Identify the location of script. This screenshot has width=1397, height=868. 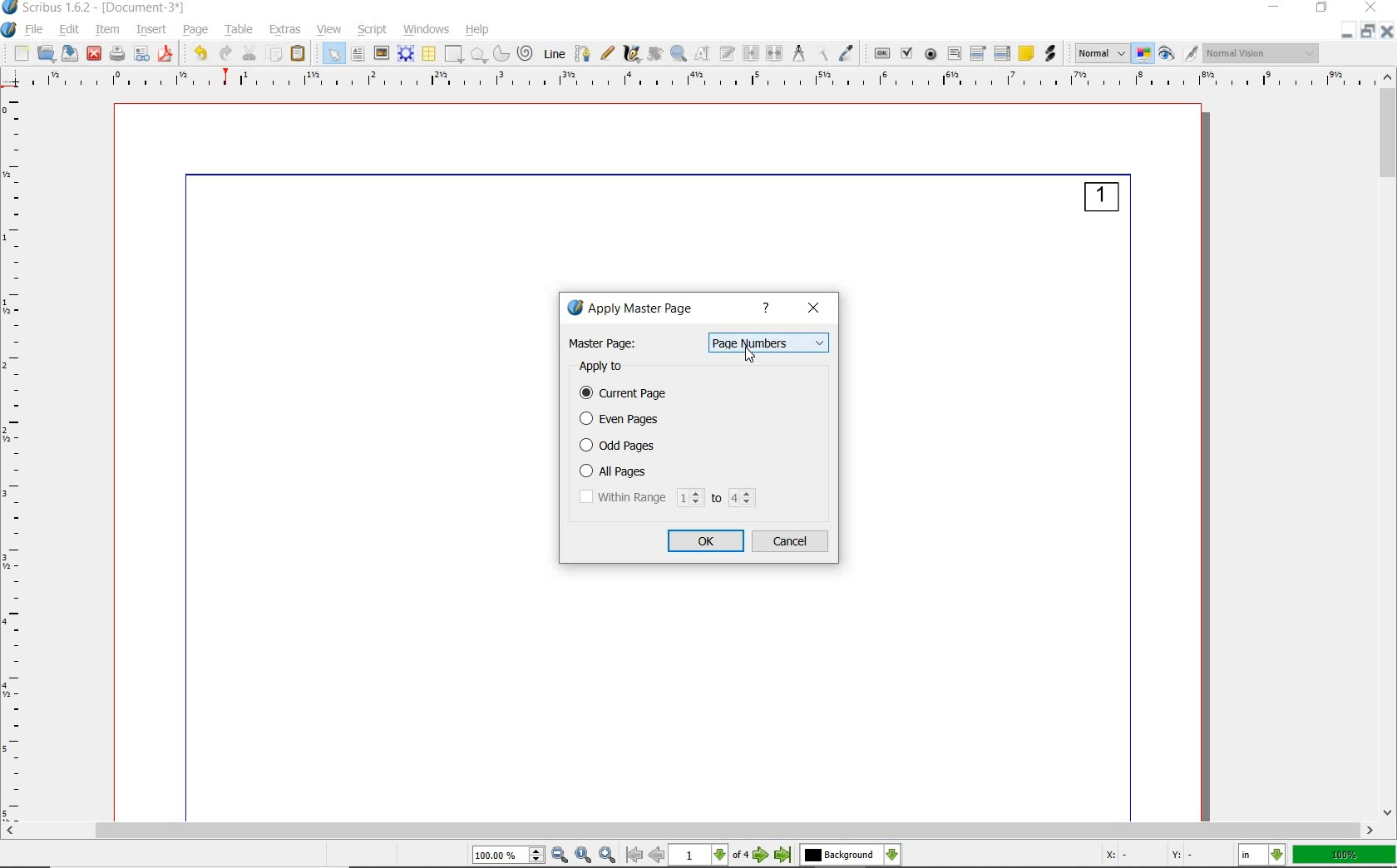
(371, 31).